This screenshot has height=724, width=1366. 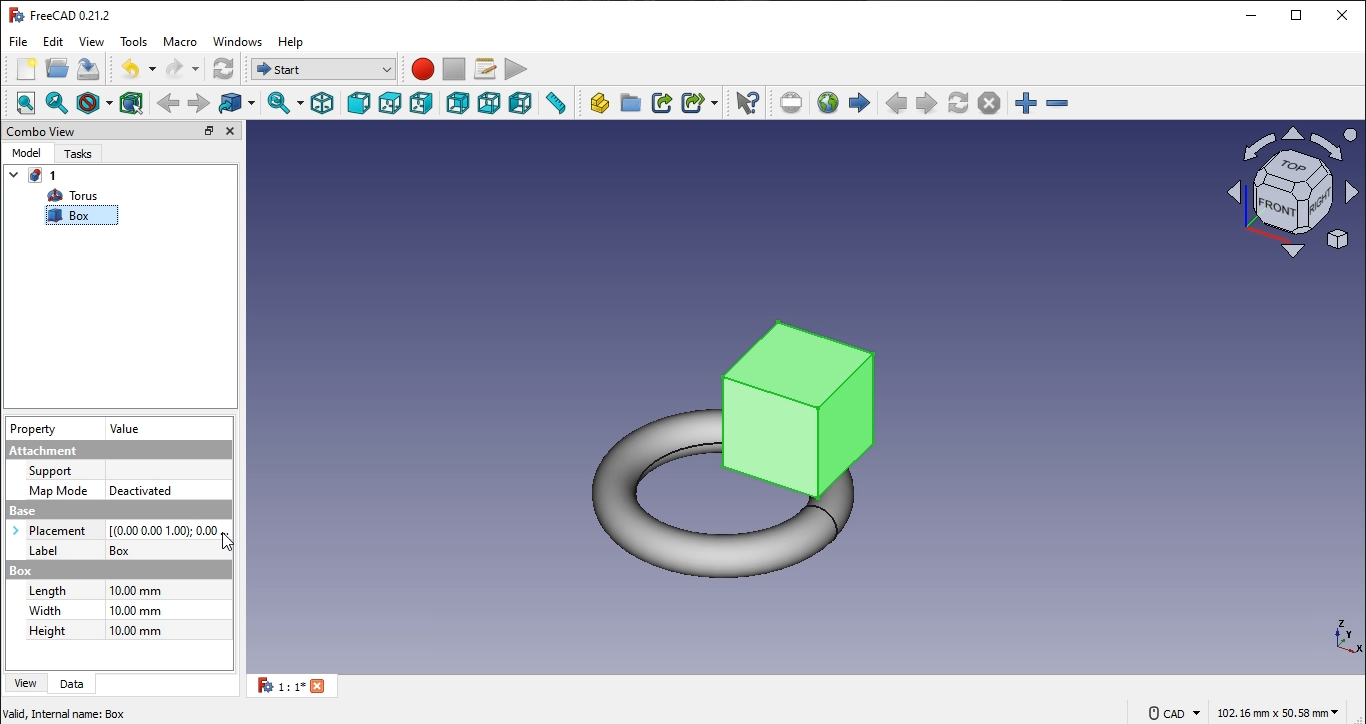 What do you see at coordinates (42, 131) in the screenshot?
I see `combo view` at bounding box center [42, 131].